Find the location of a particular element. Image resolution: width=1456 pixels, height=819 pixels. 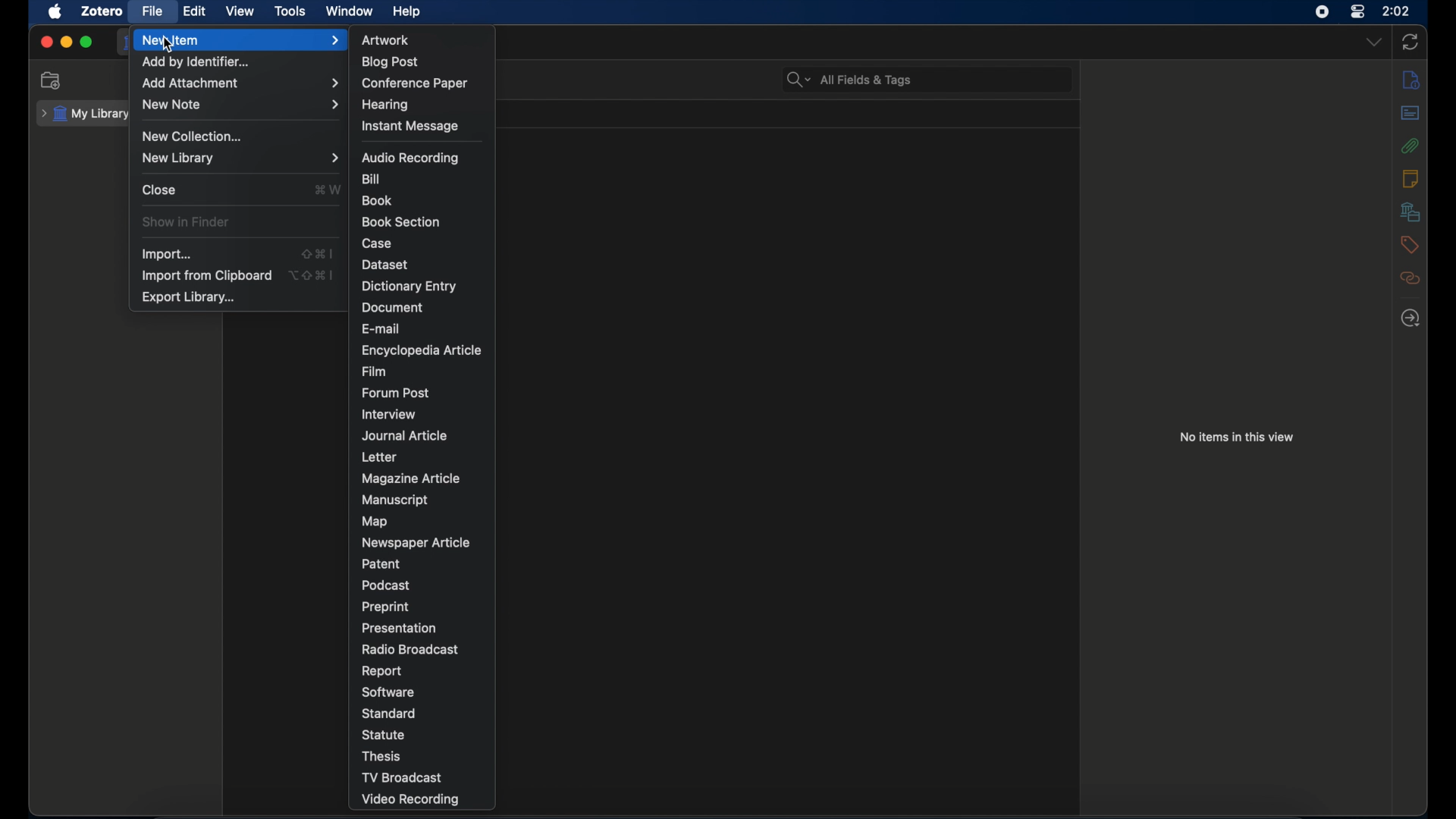

file is located at coordinates (153, 11).